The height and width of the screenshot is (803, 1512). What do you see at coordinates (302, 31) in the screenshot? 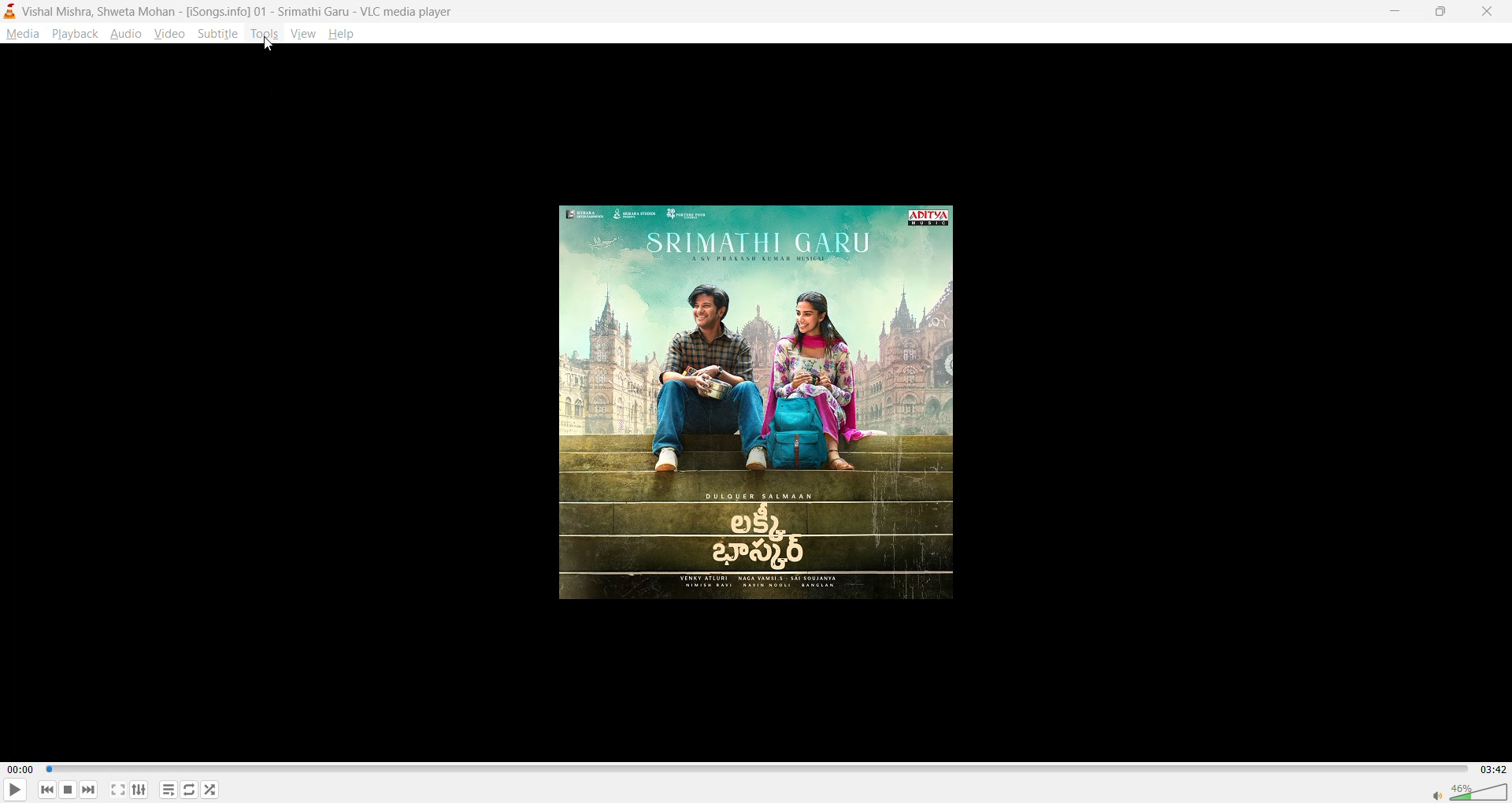
I see `view` at bounding box center [302, 31].